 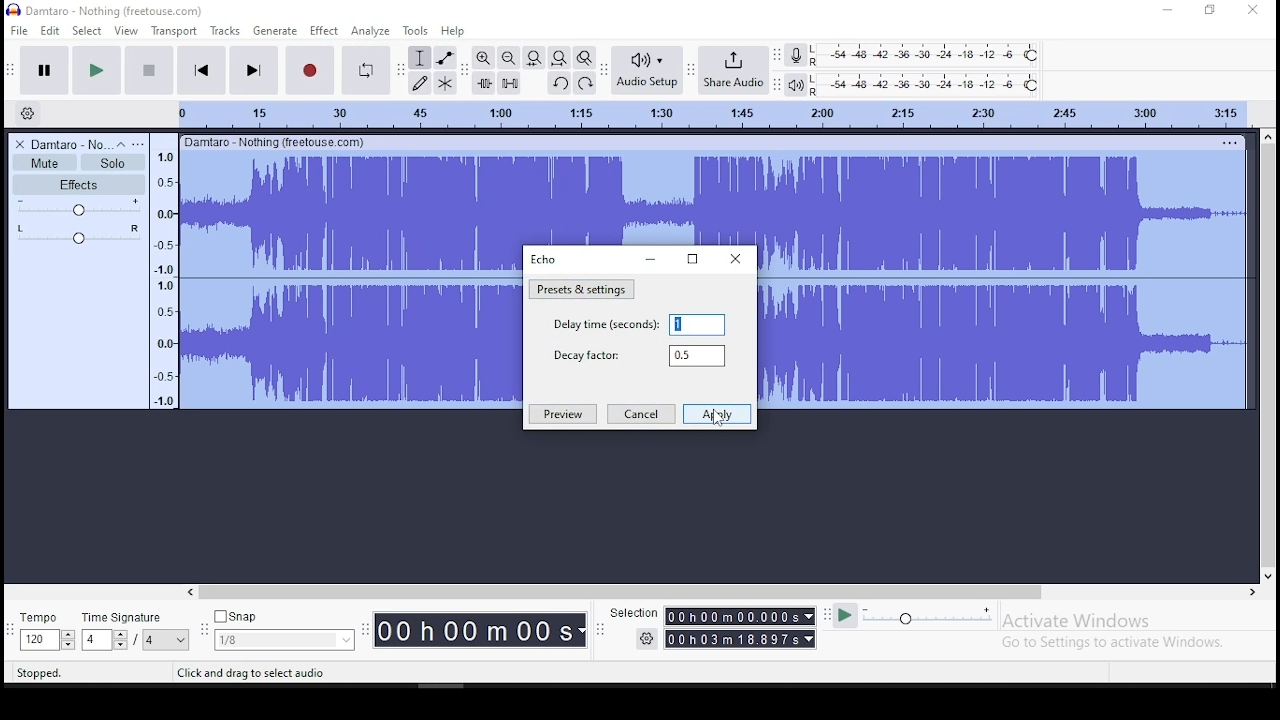 I want to click on 00h01m00.000, so click(x=732, y=616).